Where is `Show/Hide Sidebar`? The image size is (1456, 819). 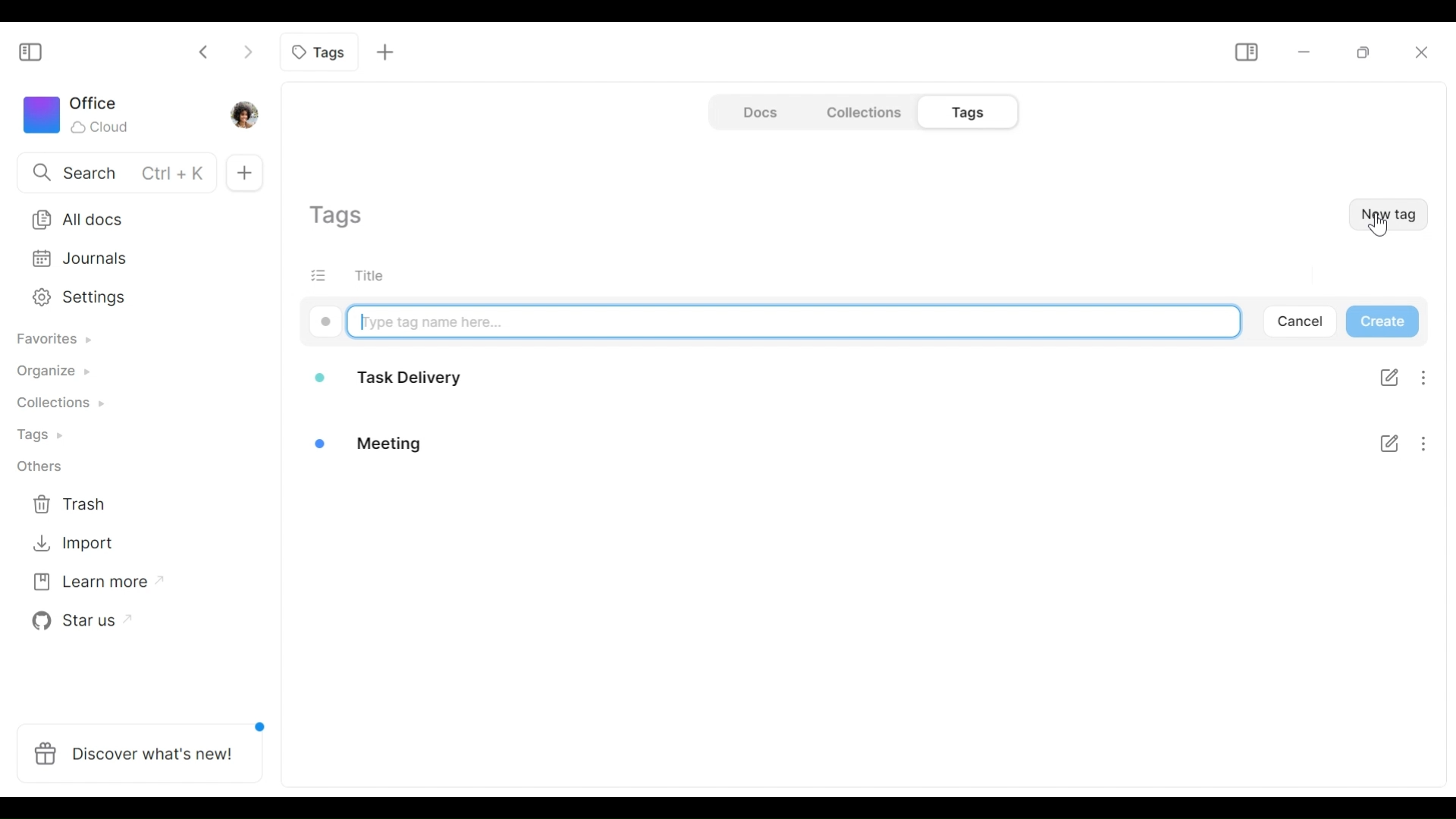 Show/Hide Sidebar is located at coordinates (1246, 53).